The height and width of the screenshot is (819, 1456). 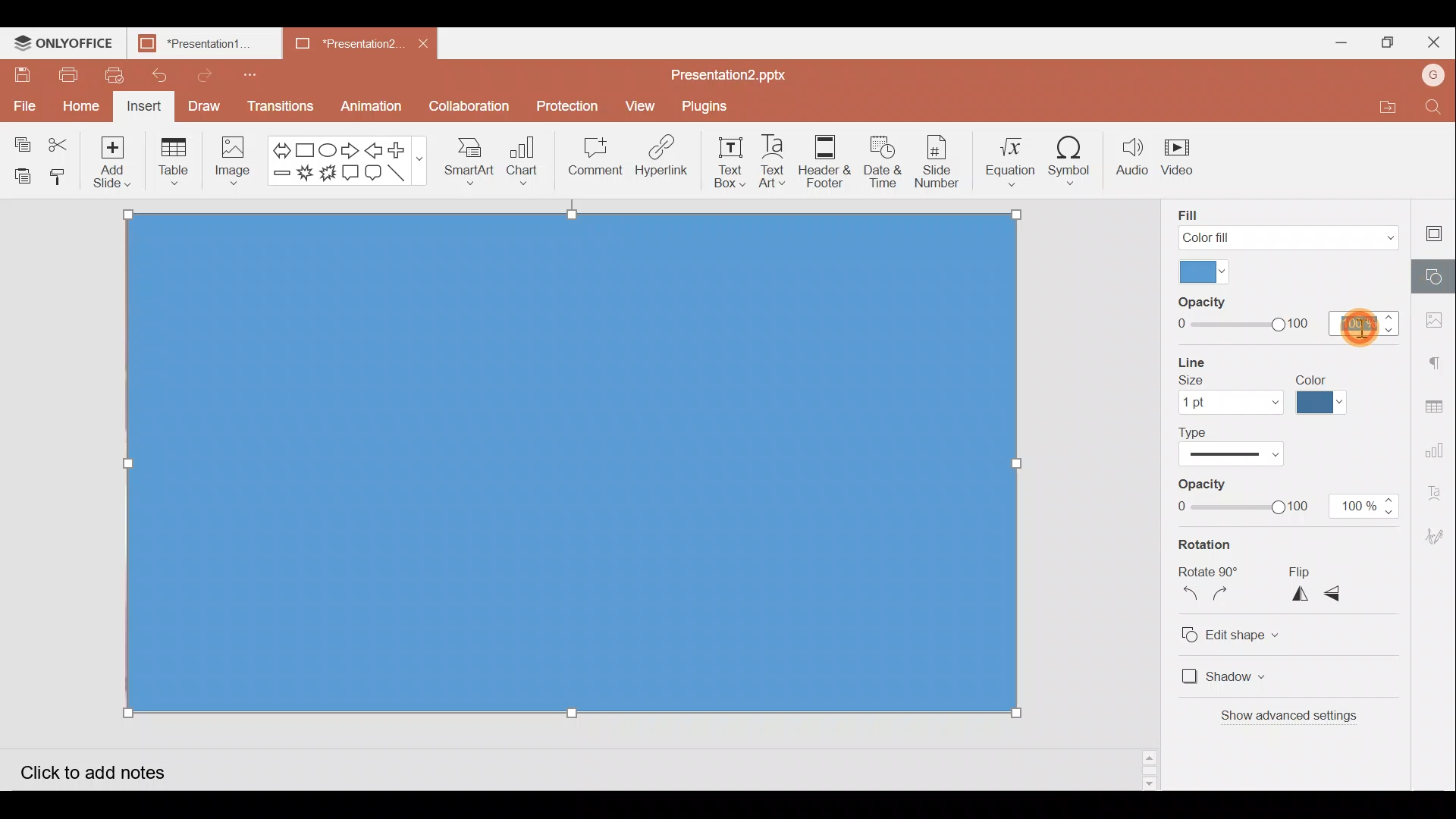 What do you see at coordinates (1365, 321) in the screenshot?
I see `100%` at bounding box center [1365, 321].